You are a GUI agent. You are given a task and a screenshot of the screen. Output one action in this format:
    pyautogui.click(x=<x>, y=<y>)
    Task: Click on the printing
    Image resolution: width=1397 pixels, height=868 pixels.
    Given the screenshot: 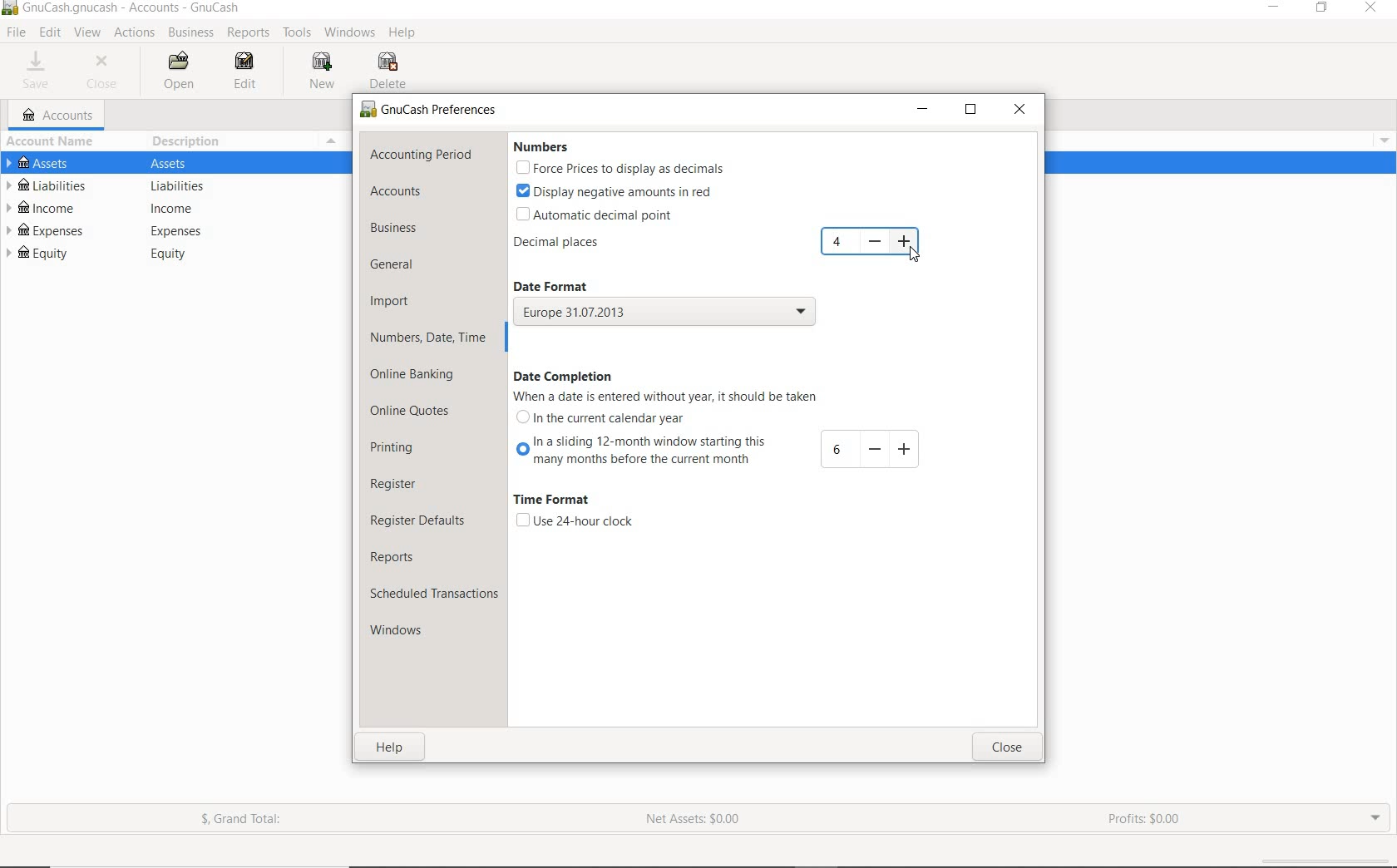 What is the action you would take?
    pyautogui.click(x=399, y=451)
    